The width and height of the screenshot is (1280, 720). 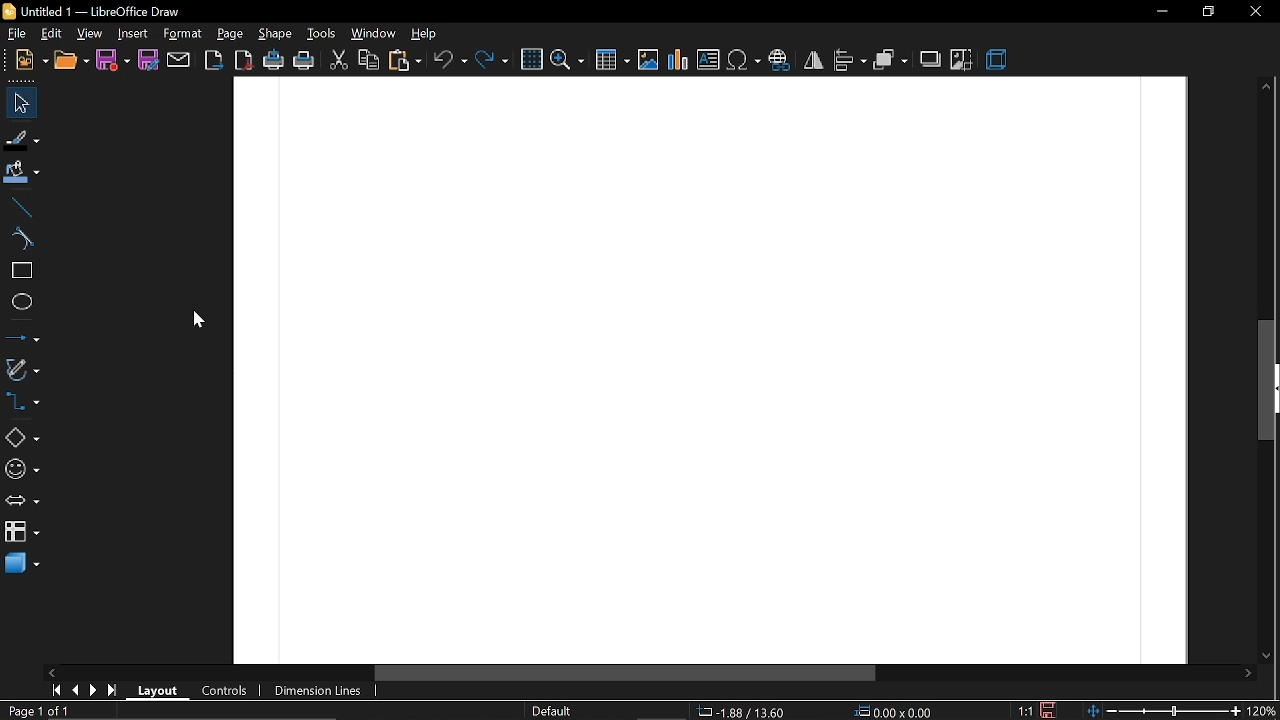 I want to click on print directly, so click(x=273, y=61).